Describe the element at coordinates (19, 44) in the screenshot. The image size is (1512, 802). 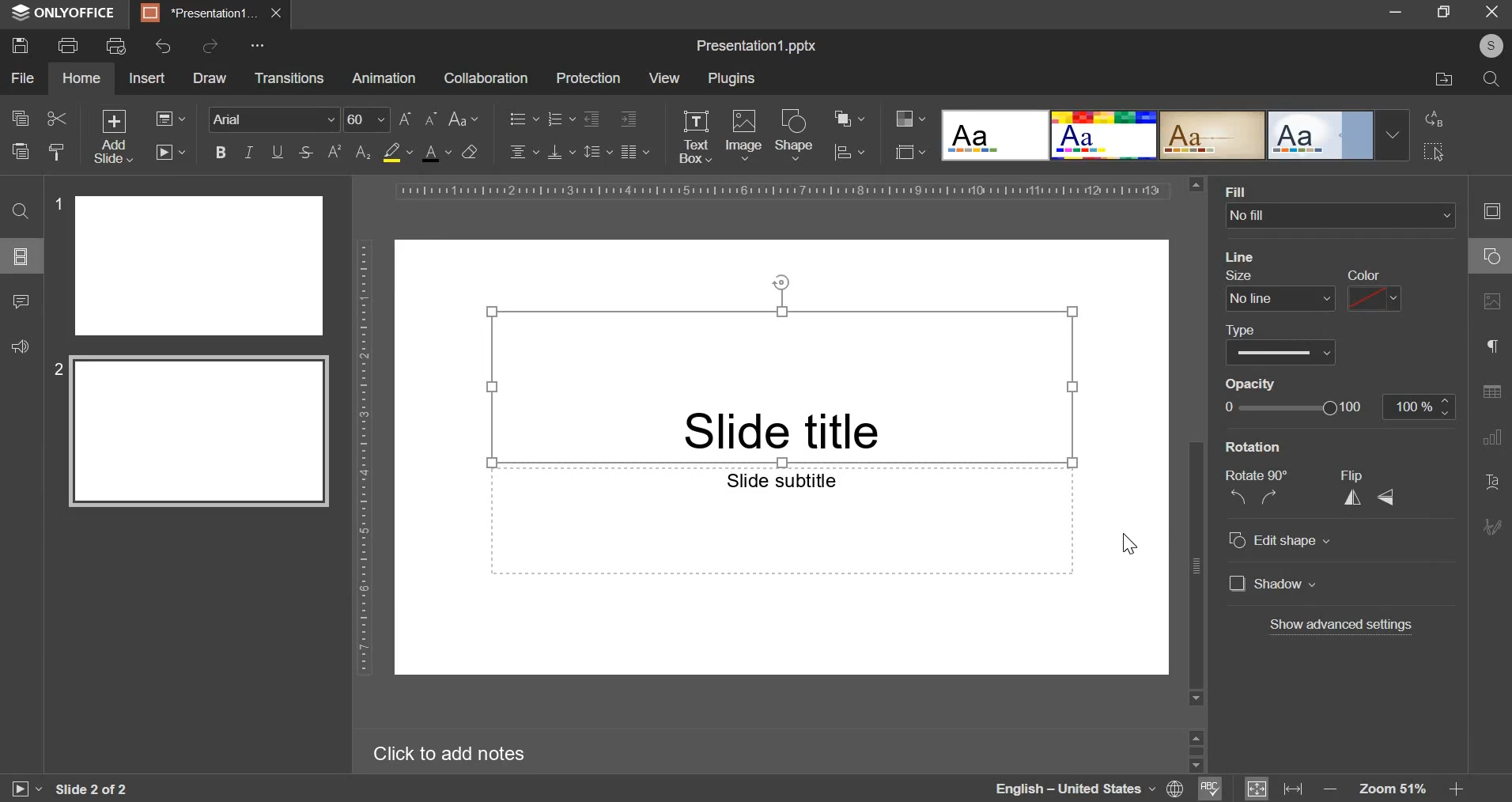
I see `save` at that location.